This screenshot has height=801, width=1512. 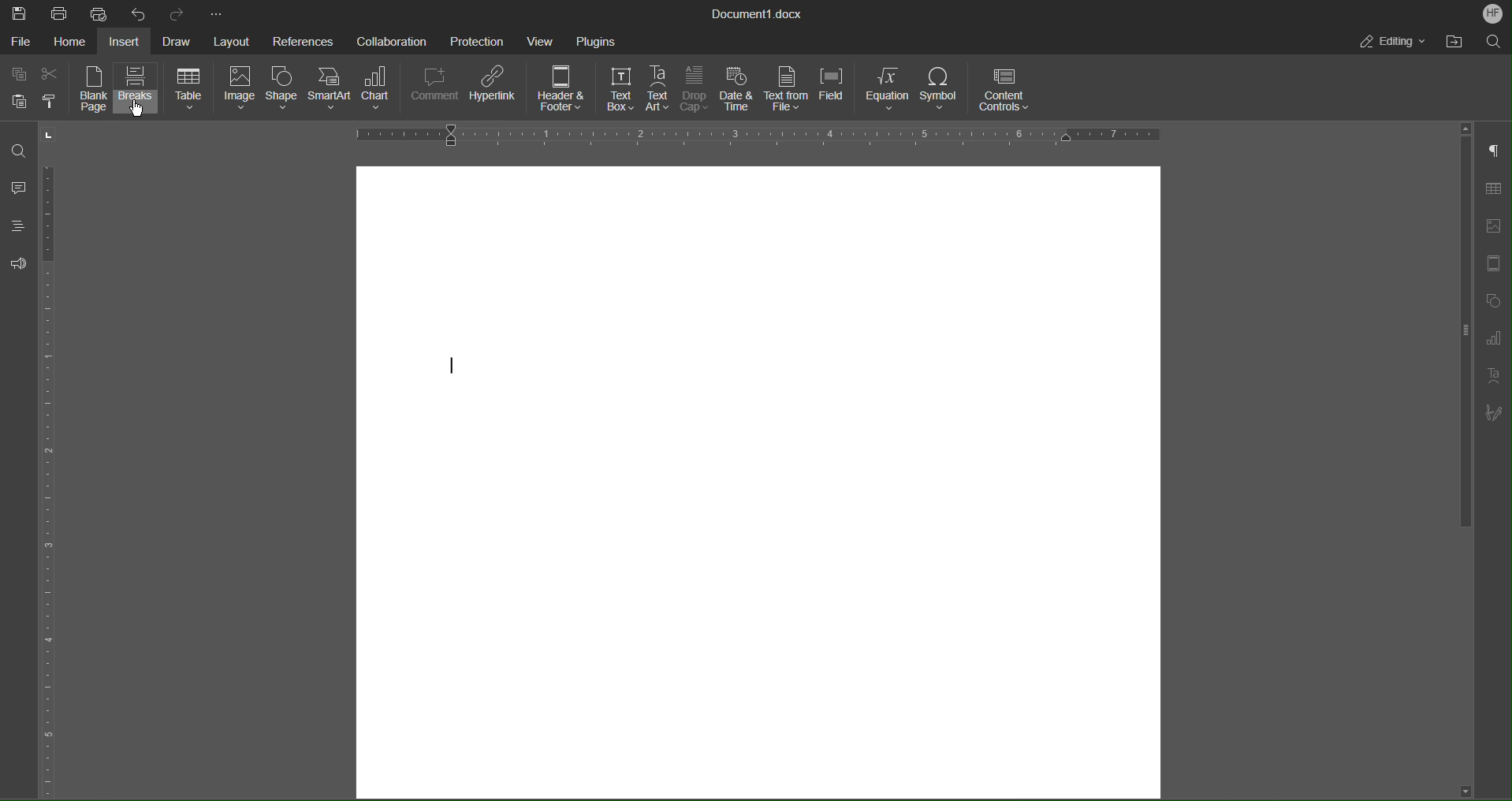 I want to click on Headings, so click(x=15, y=226).